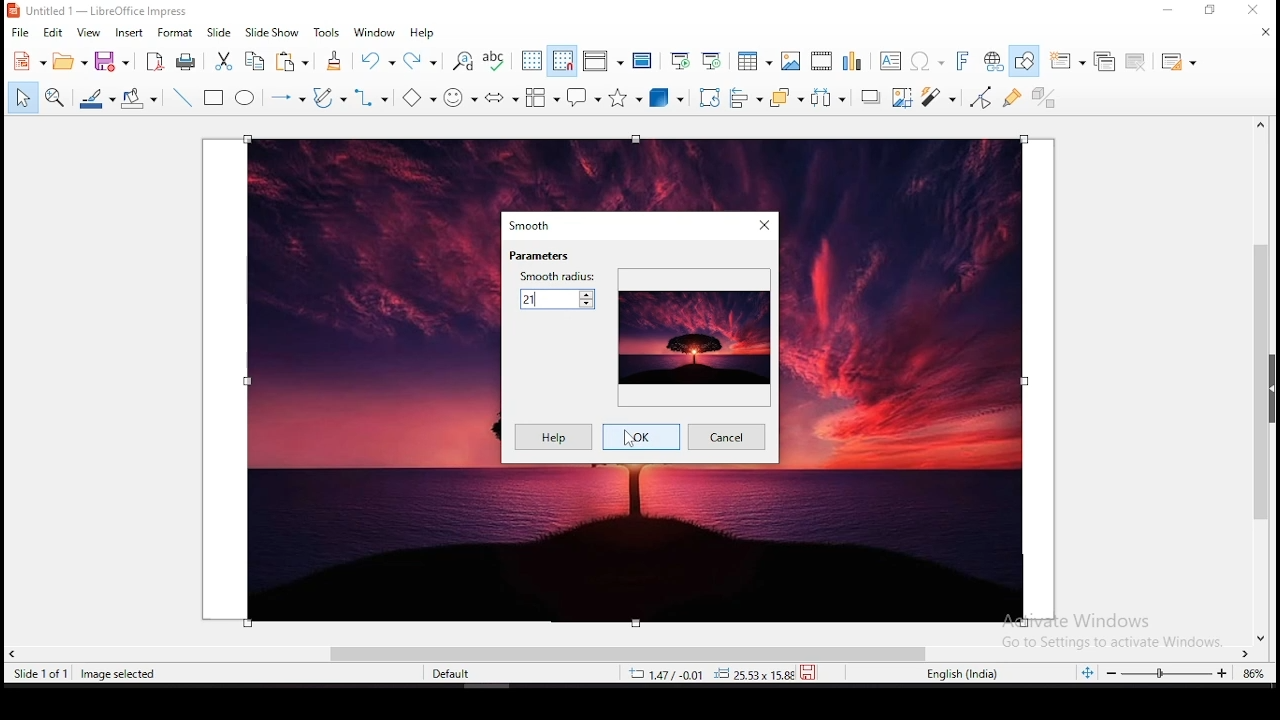 This screenshot has height=720, width=1280. I want to click on lines and arrows, so click(285, 97).